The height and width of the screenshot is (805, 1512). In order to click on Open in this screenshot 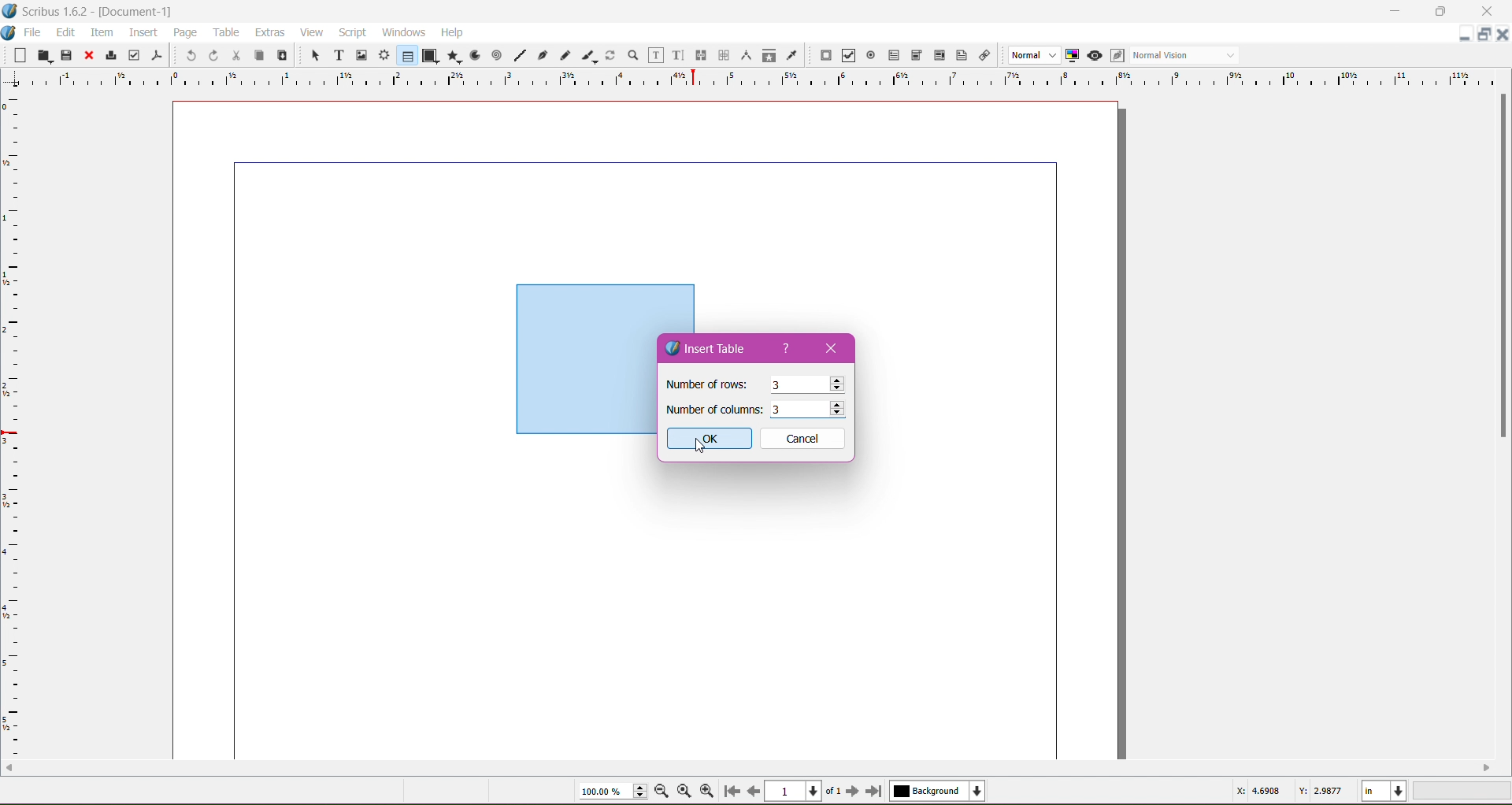, I will do `click(46, 54)`.